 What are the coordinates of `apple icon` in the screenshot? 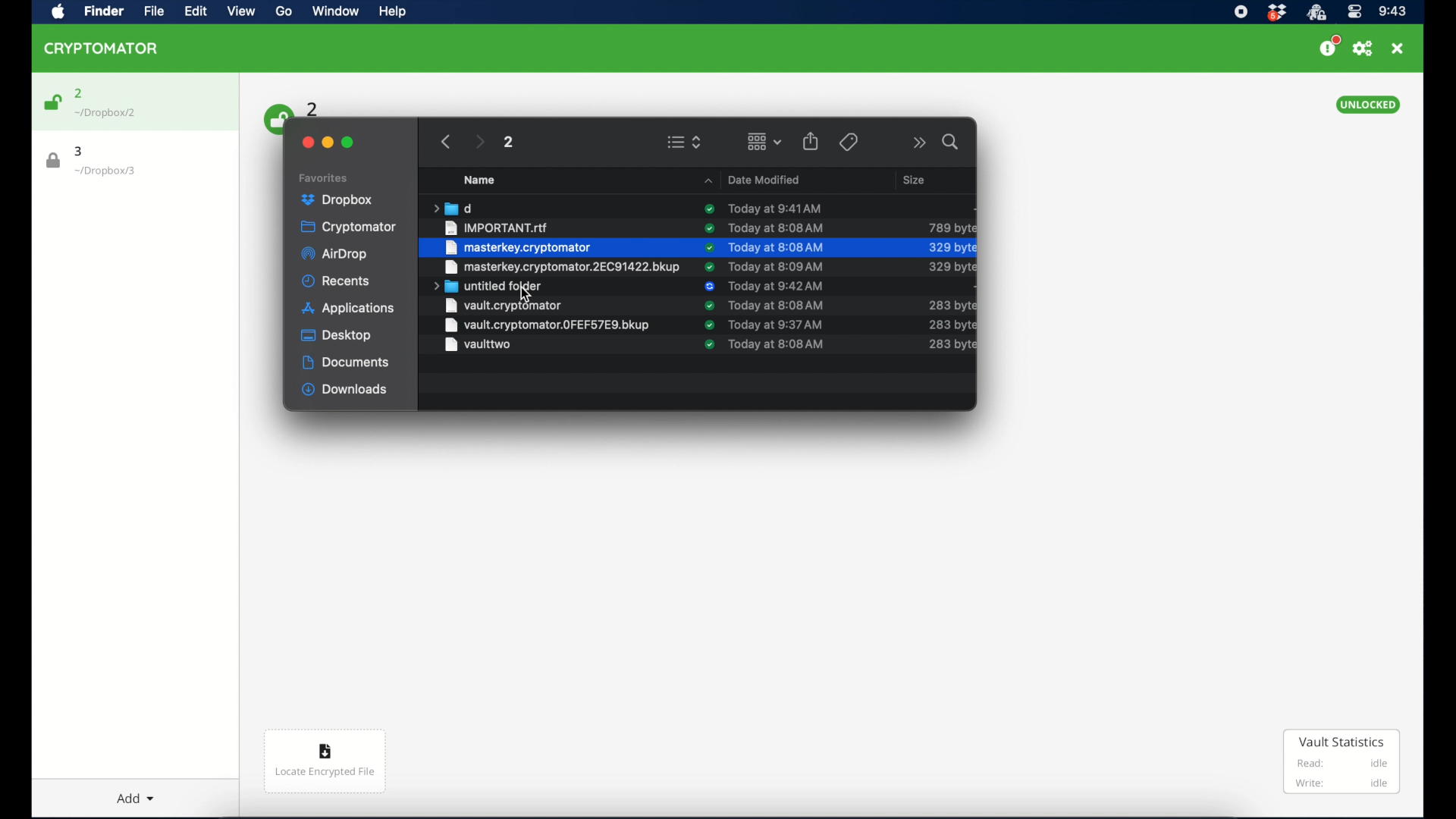 It's located at (58, 12).